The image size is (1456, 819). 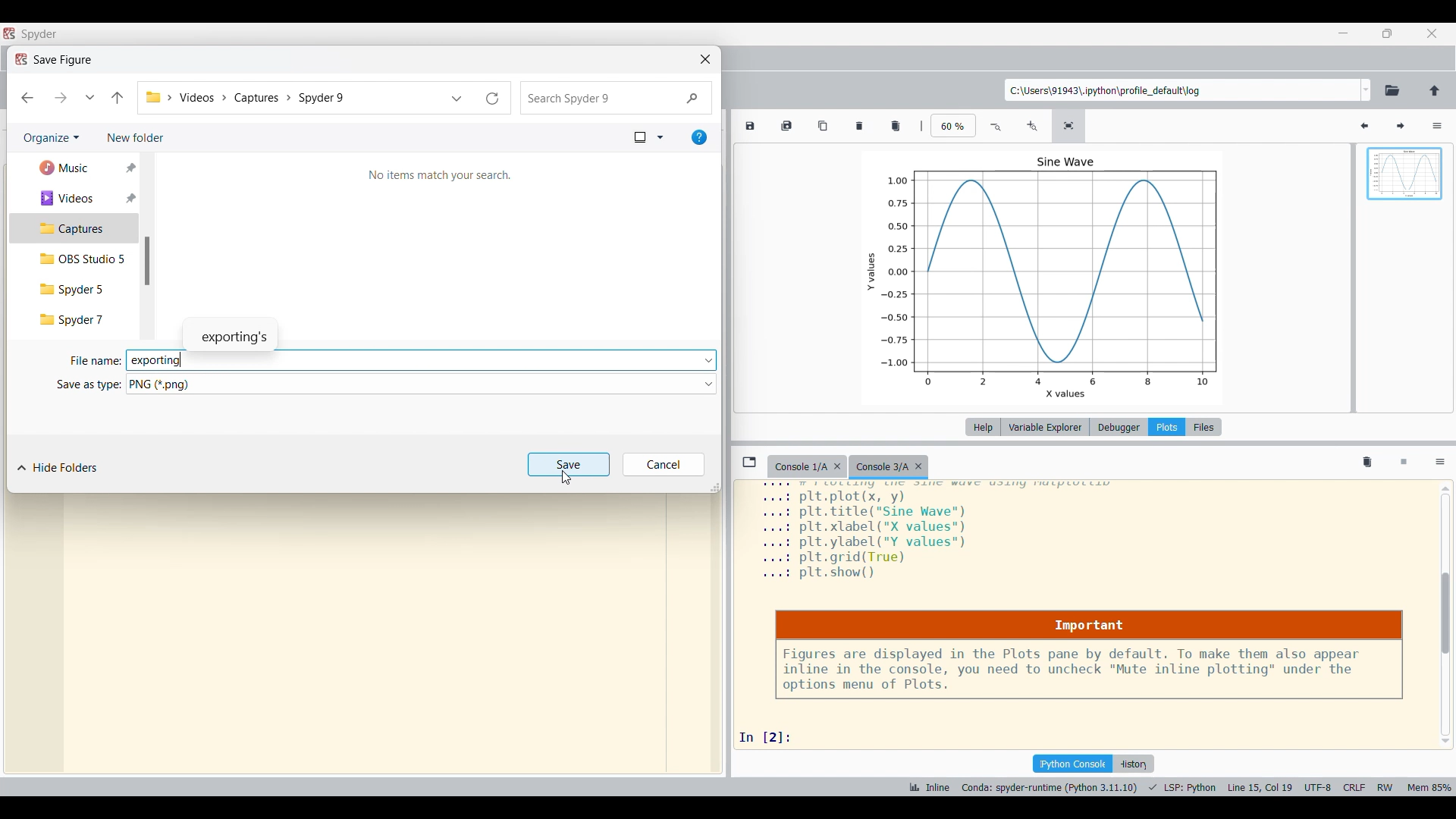 I want to click on Name options, so click(x=708, y=360).